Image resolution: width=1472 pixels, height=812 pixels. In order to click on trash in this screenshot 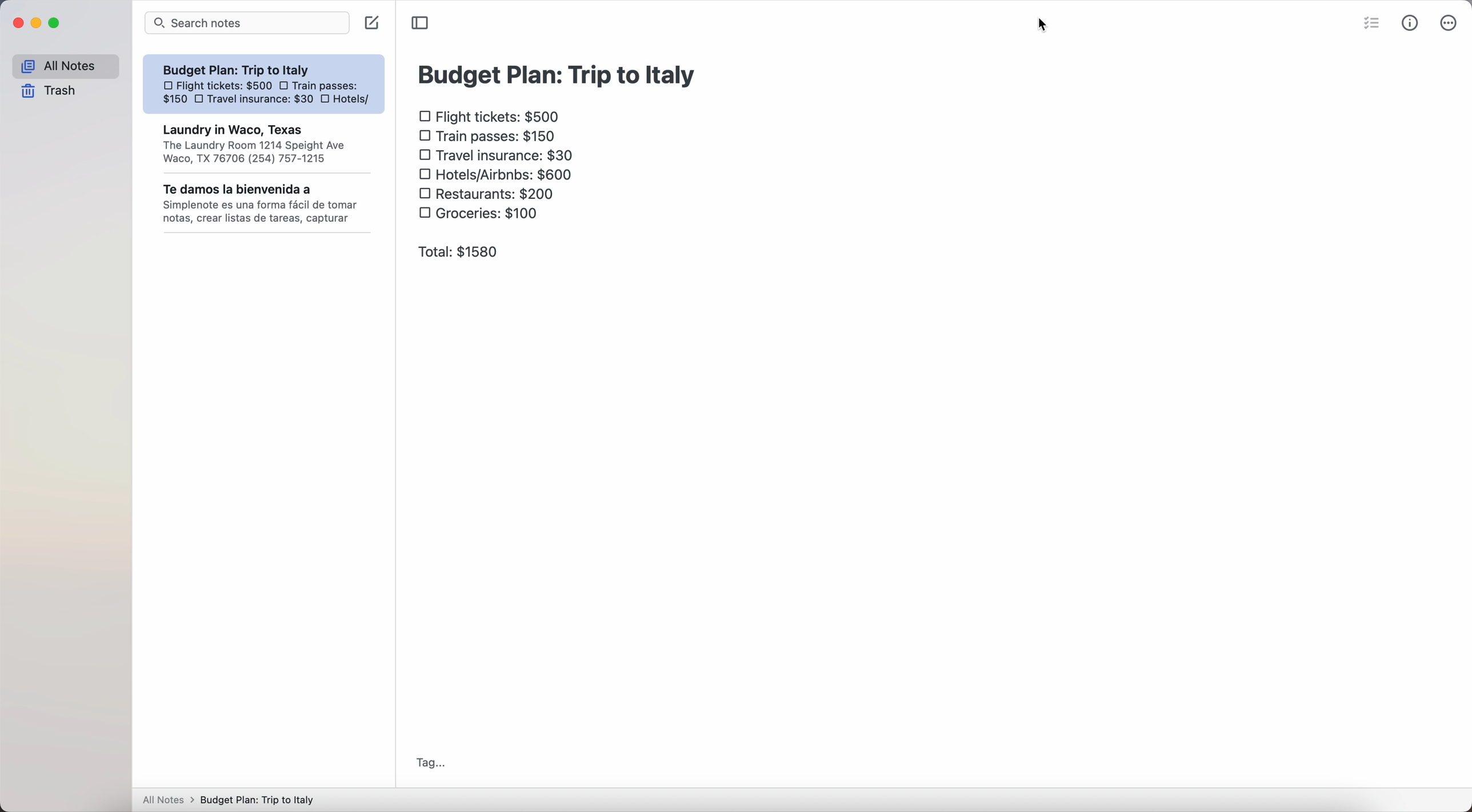, I will do `click(49, 91)`.